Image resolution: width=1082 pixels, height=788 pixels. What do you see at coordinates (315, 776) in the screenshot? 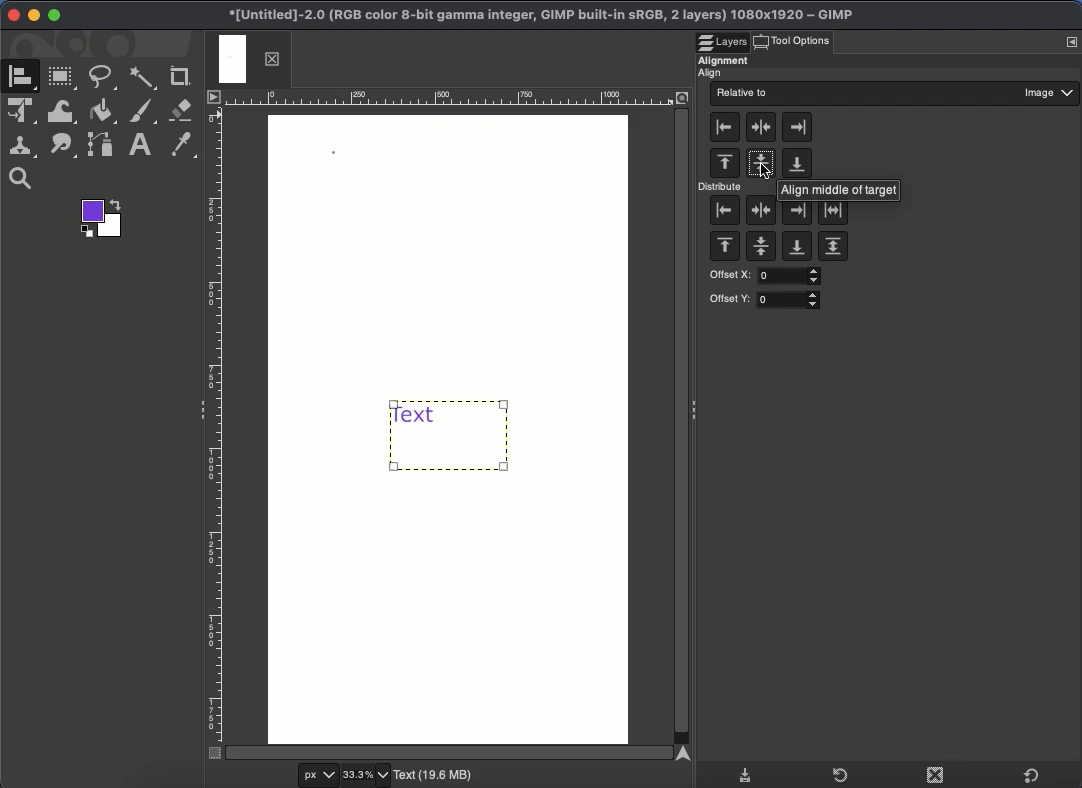
I see `px` at bounding box center [315, 776].